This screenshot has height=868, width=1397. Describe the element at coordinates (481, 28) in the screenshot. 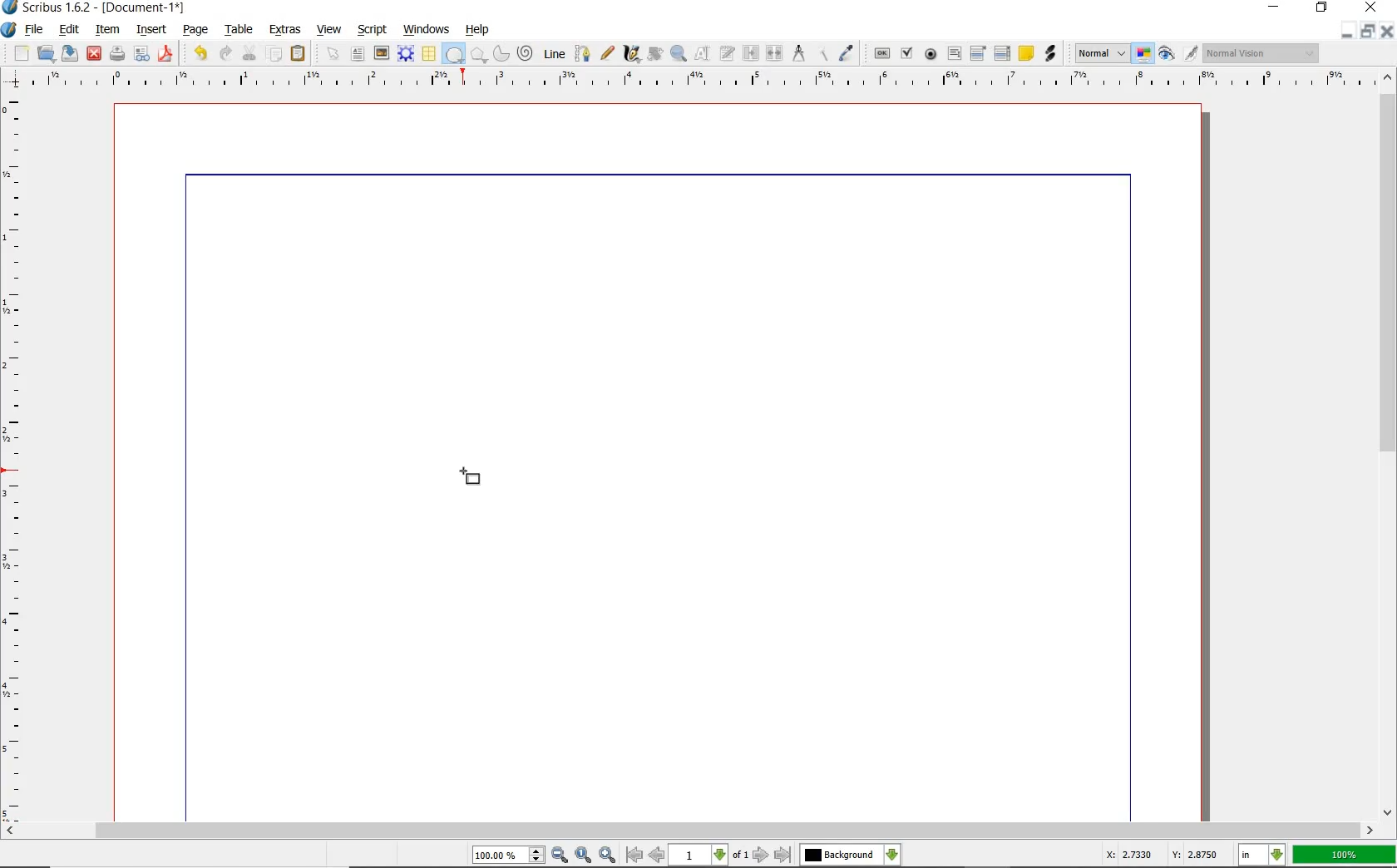

I see `HELP` at that location.